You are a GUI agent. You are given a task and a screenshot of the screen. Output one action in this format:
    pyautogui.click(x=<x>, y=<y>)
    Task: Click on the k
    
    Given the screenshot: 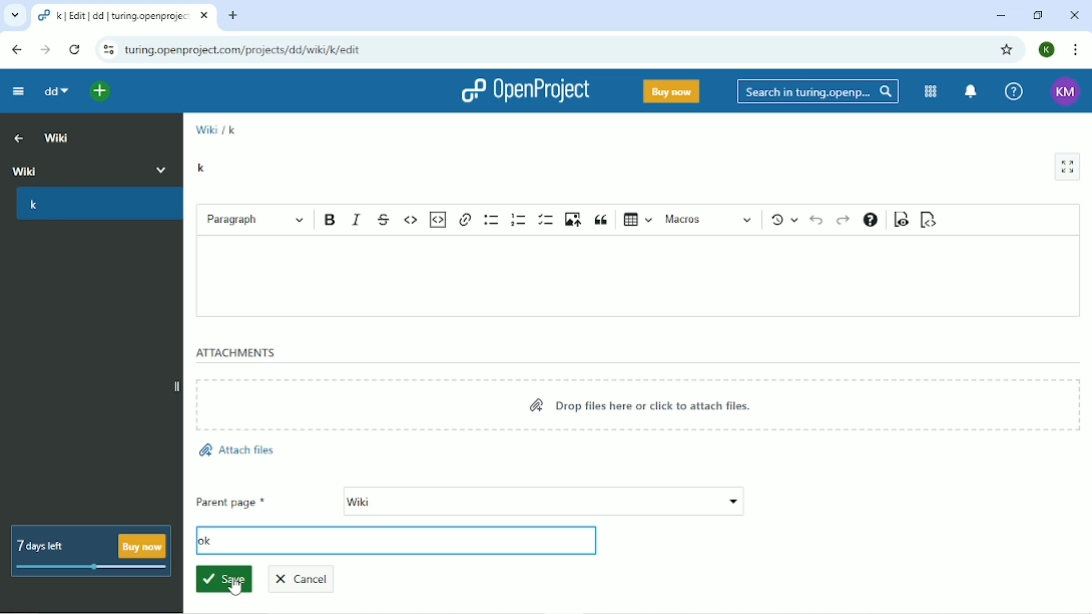 What is the action you would take?
    pyautogui.click(x=96, y=207)
    